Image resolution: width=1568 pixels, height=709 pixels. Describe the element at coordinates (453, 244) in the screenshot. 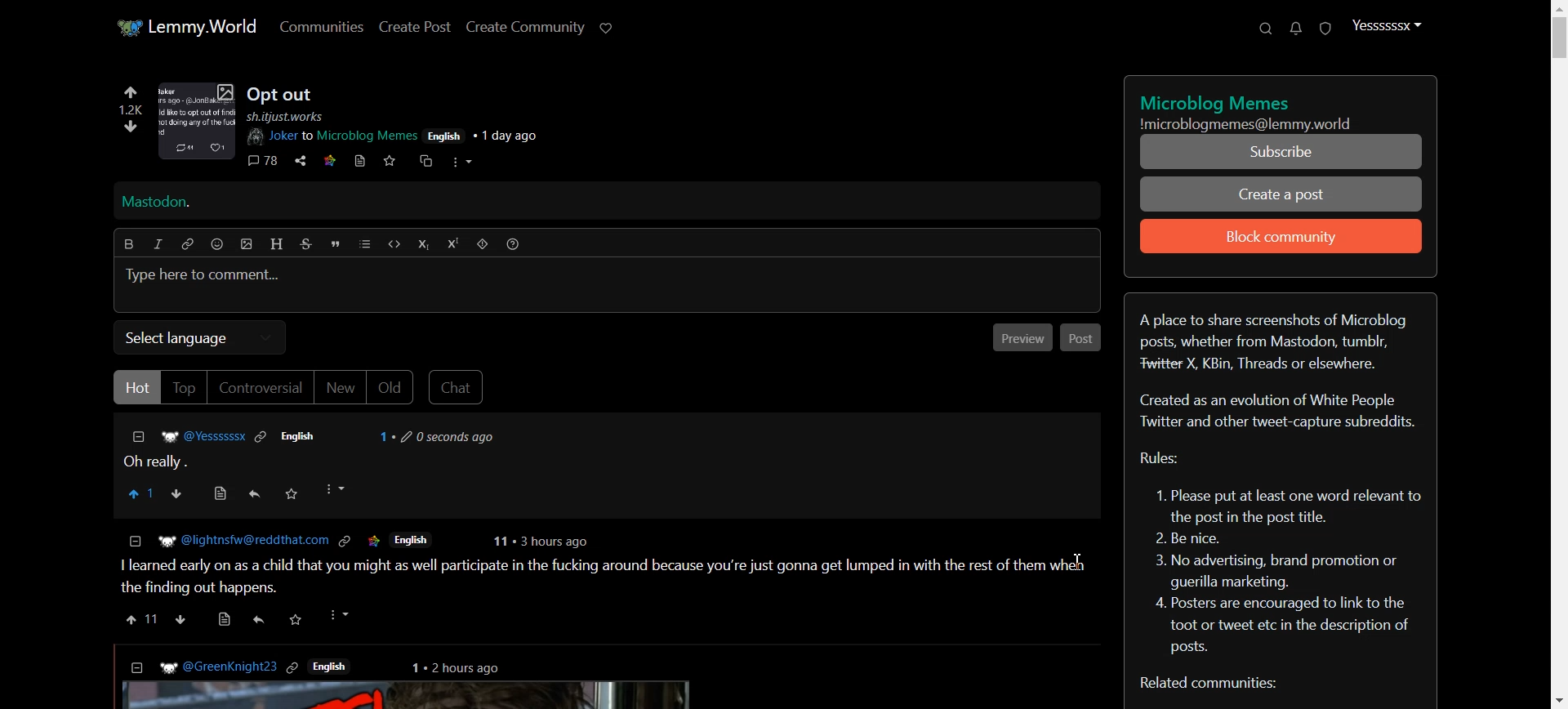

I see `Superscript` at that location.